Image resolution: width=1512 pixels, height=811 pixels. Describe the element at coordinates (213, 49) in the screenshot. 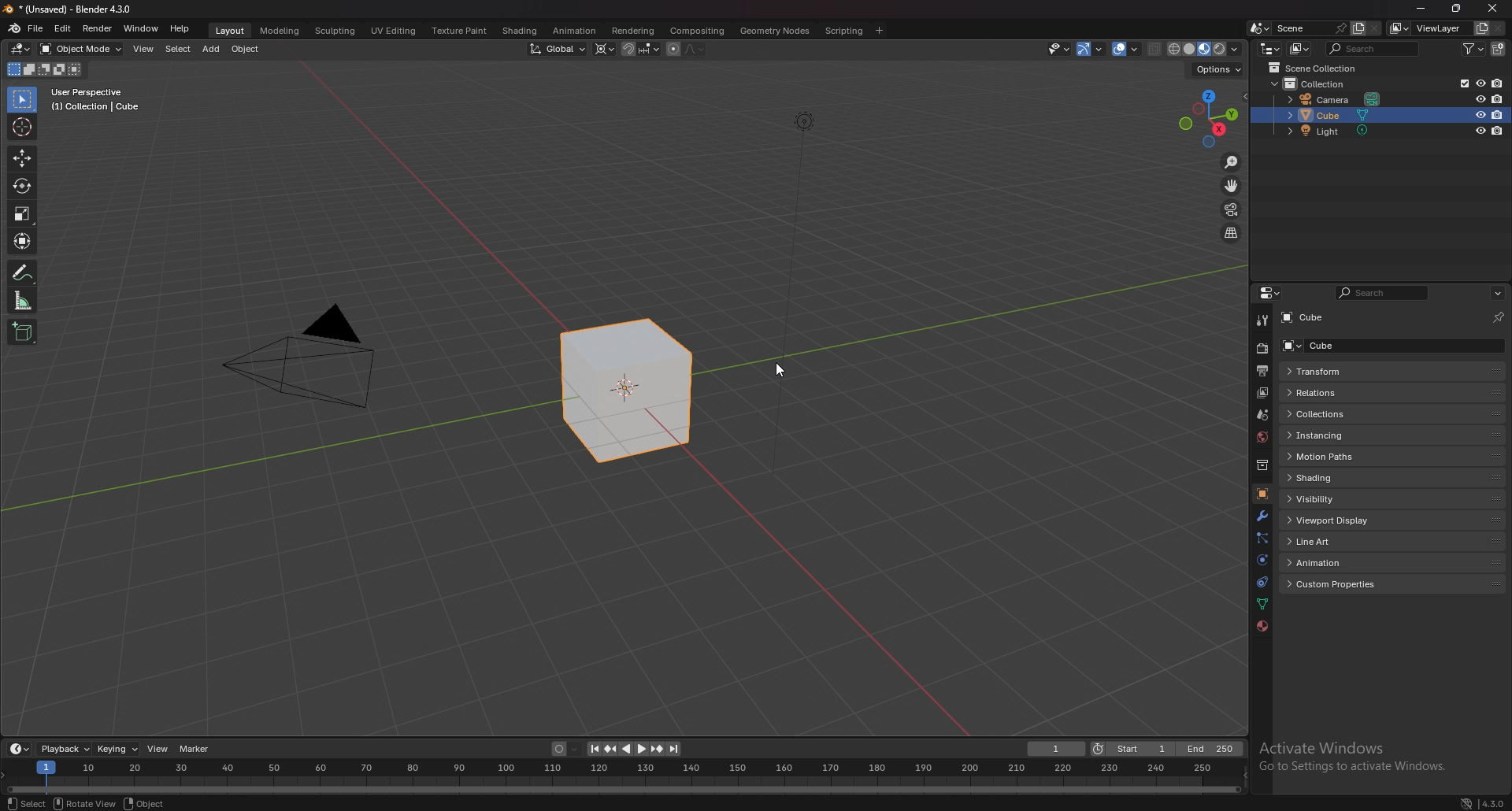

I see `add` at that location.